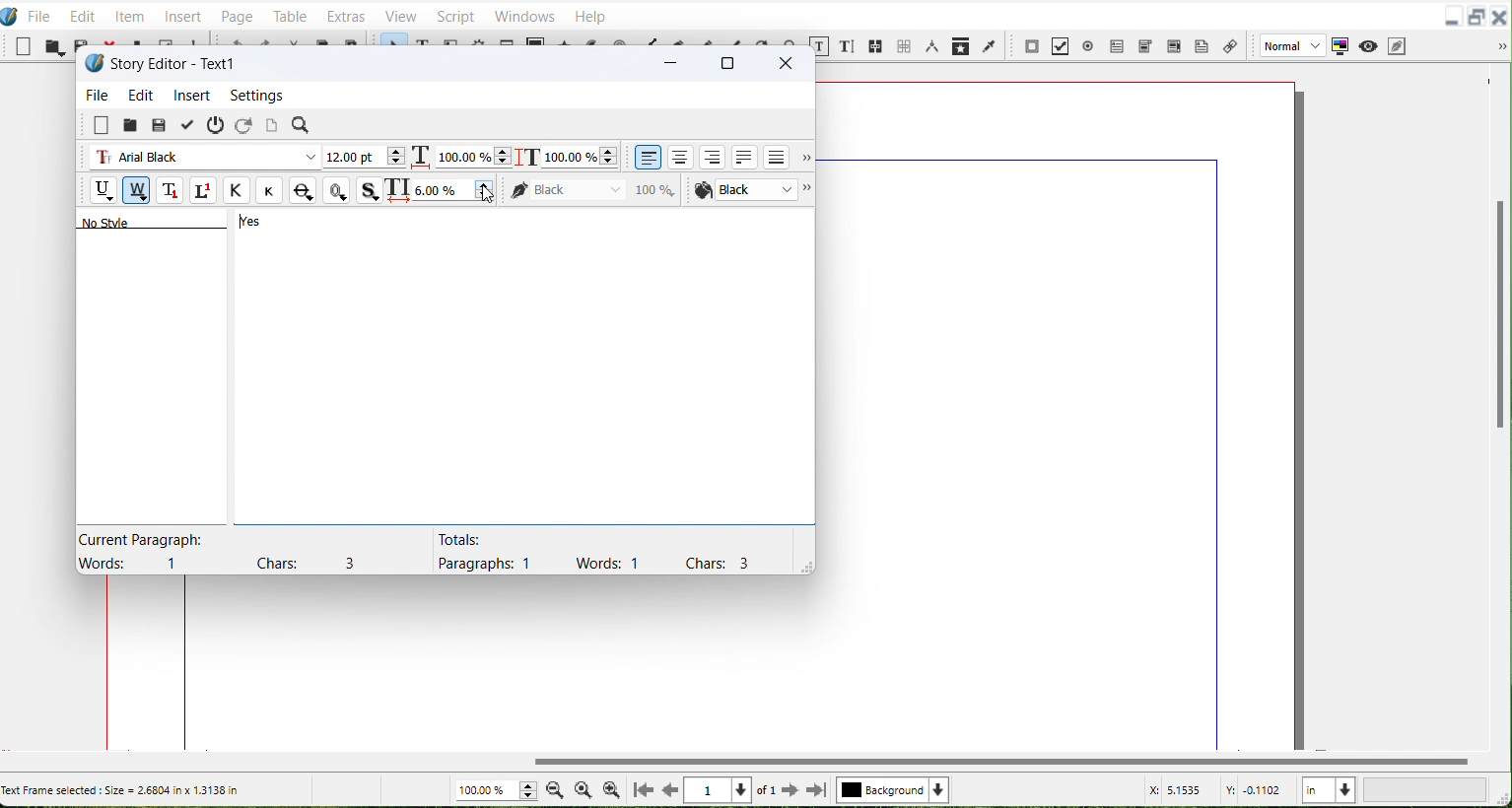  What do you see at coordinates (101, 191) in the screenshot?
I see `Underline` at bounding box center [101, 191].